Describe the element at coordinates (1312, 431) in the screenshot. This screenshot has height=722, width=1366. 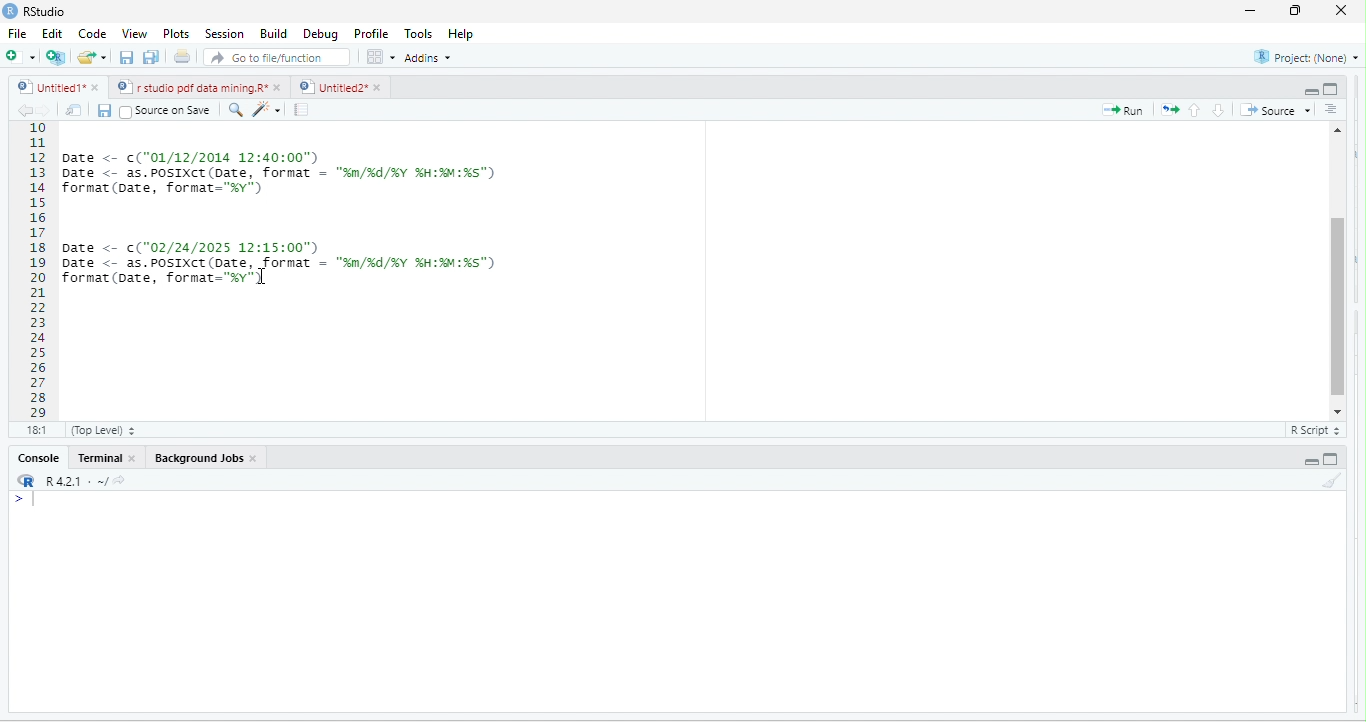
I see `R Script &` at that location.